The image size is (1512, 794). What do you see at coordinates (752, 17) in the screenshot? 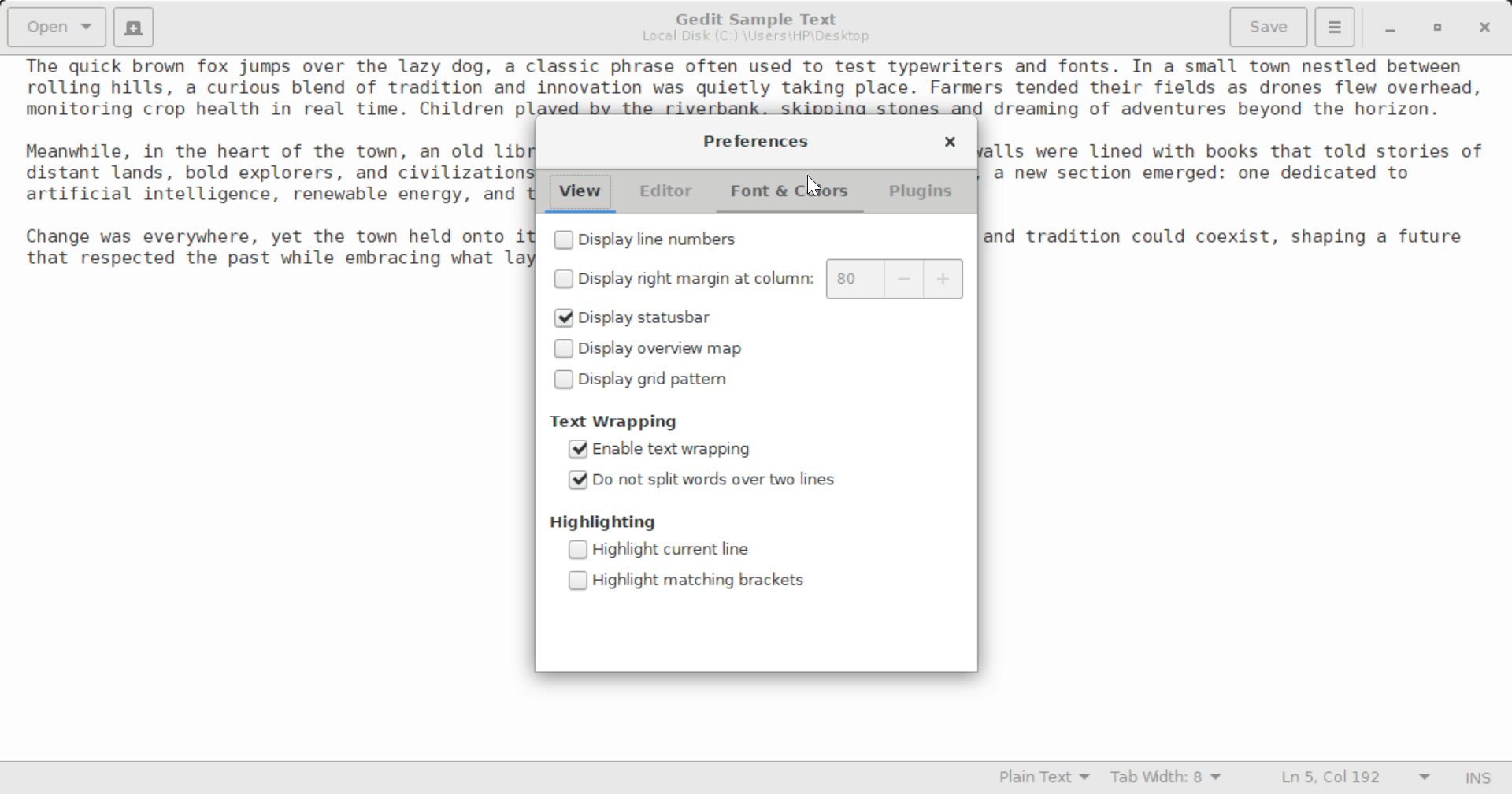
I see `Gedit Sample Text` at bounding box center [752, 17].